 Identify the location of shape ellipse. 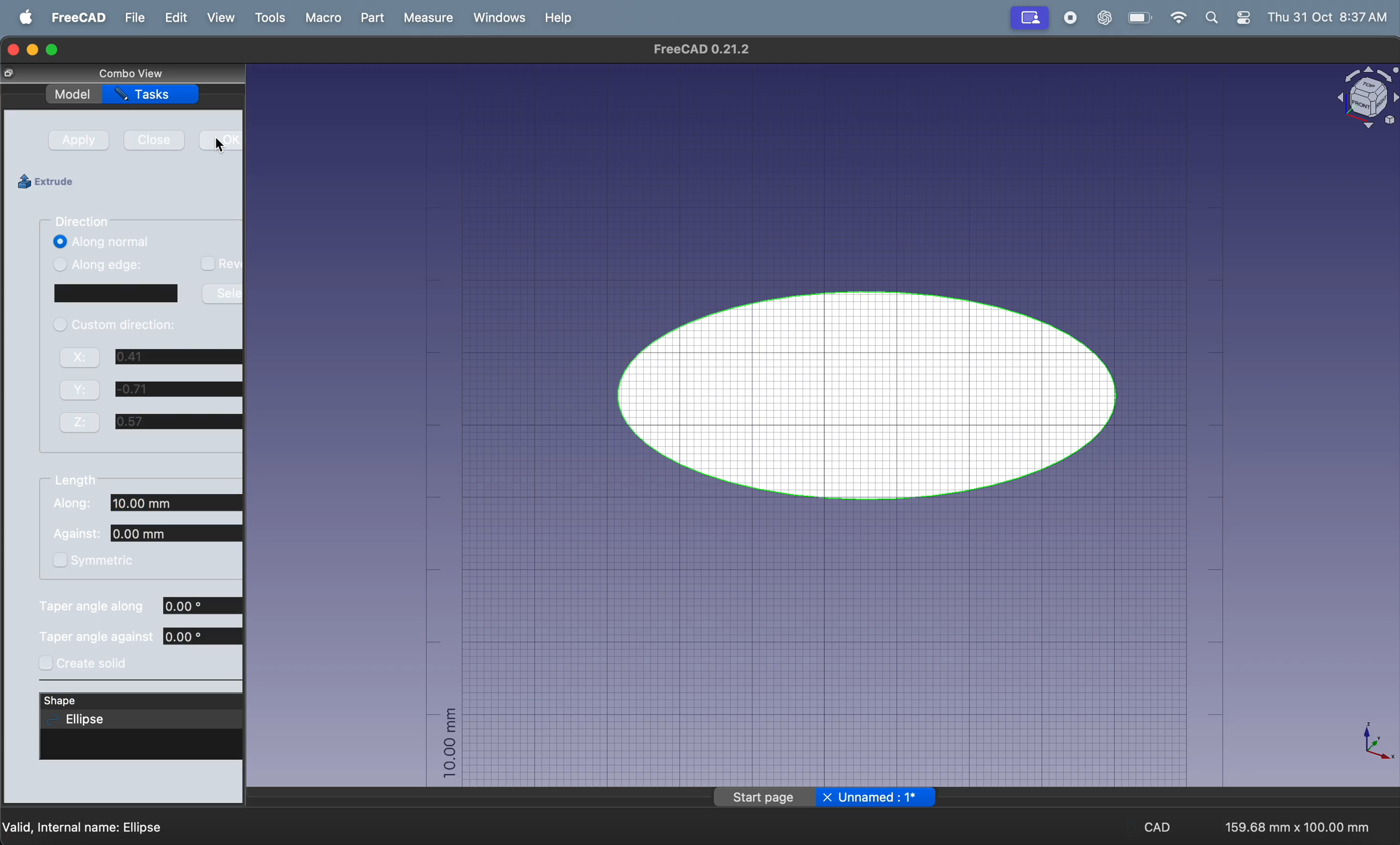
(142, 712).